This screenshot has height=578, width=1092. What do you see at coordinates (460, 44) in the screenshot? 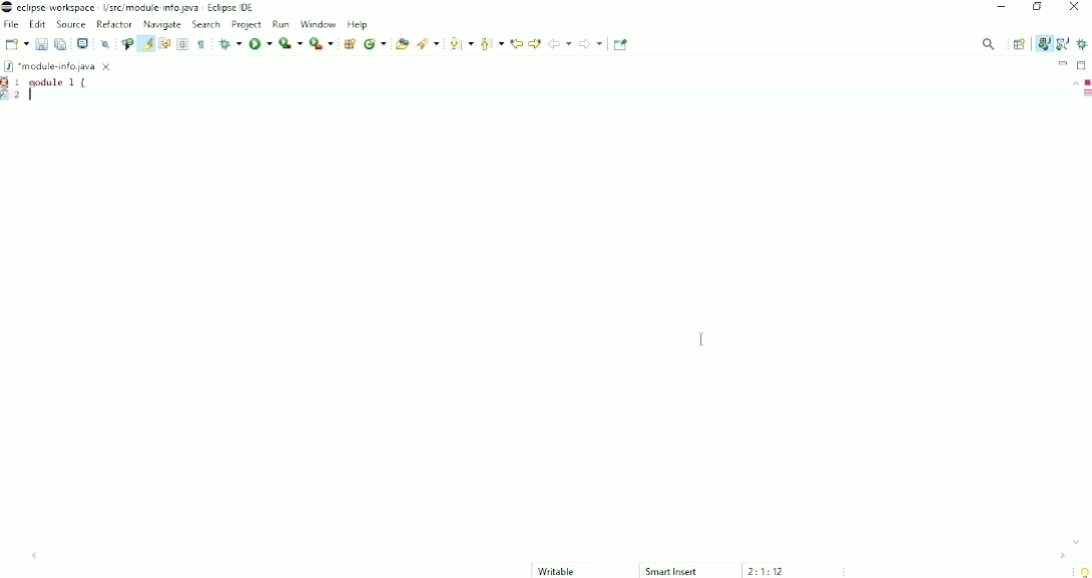
I see `Next annotation` at bounding box center [460, 44].